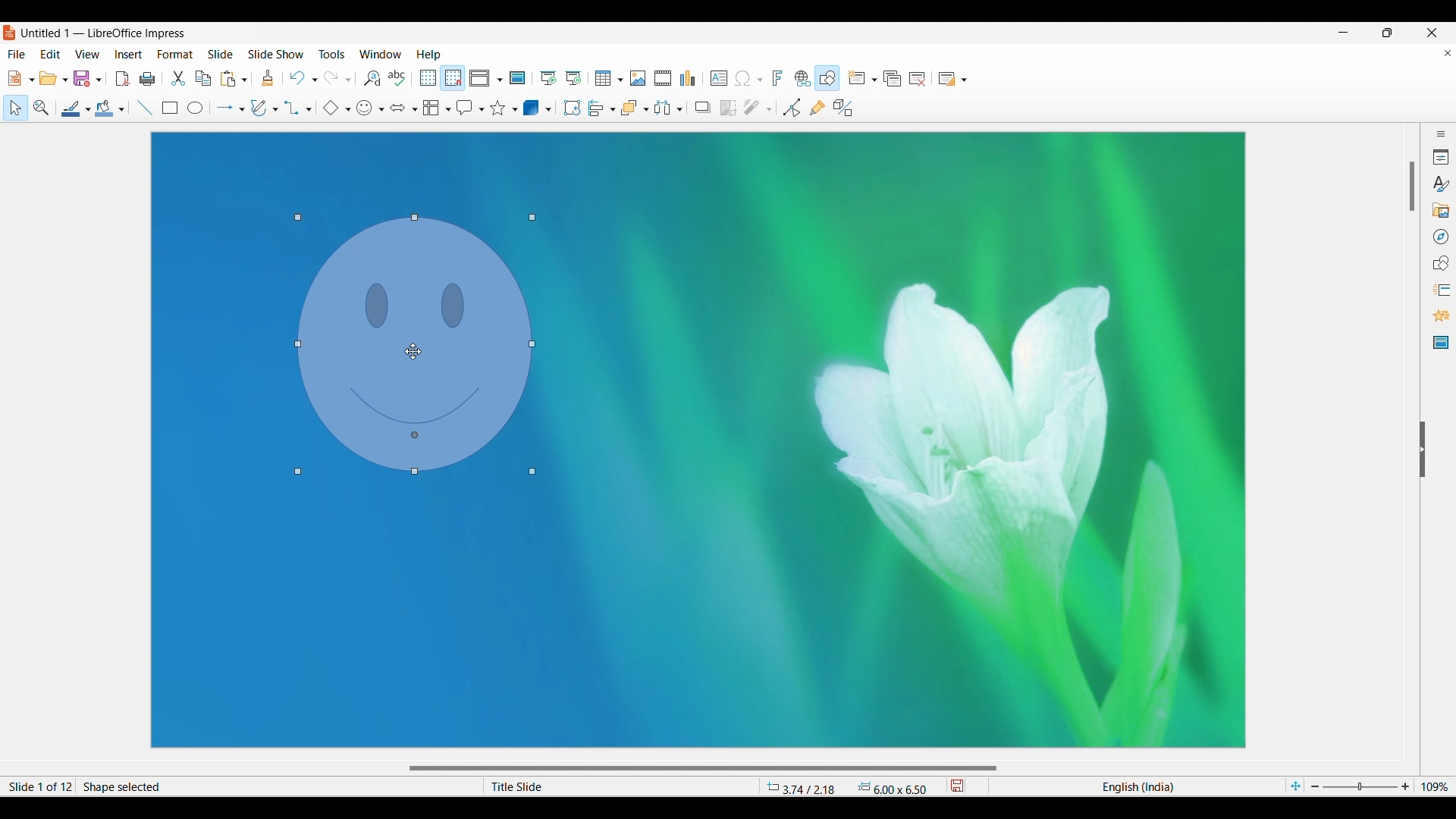 The image size is (1456, 819). Describe the element at coordinates (817, 108) in the screenshot. I see `Show gluepoint functions` at that location.